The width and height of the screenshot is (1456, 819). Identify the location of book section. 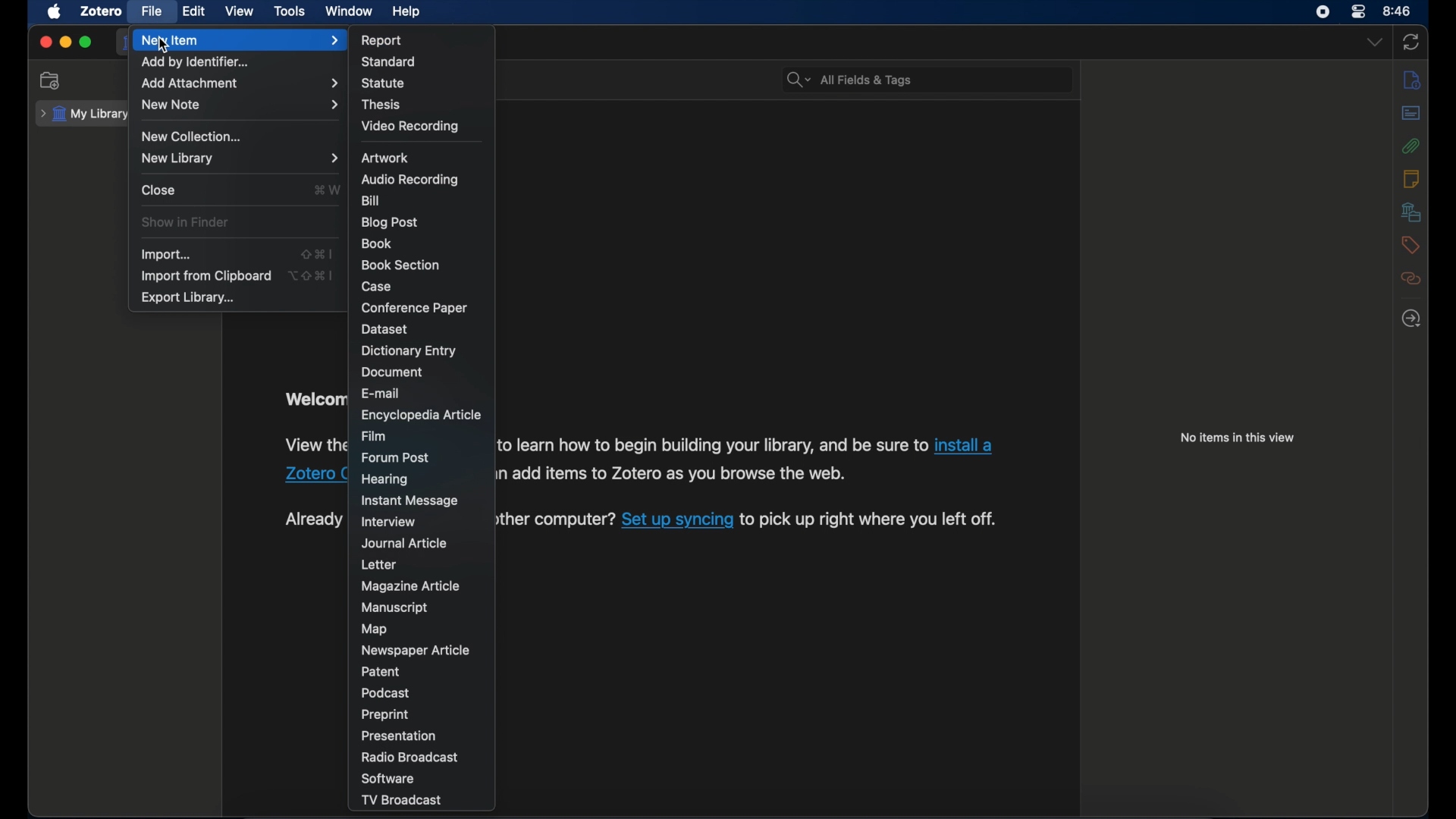
(401, 265).